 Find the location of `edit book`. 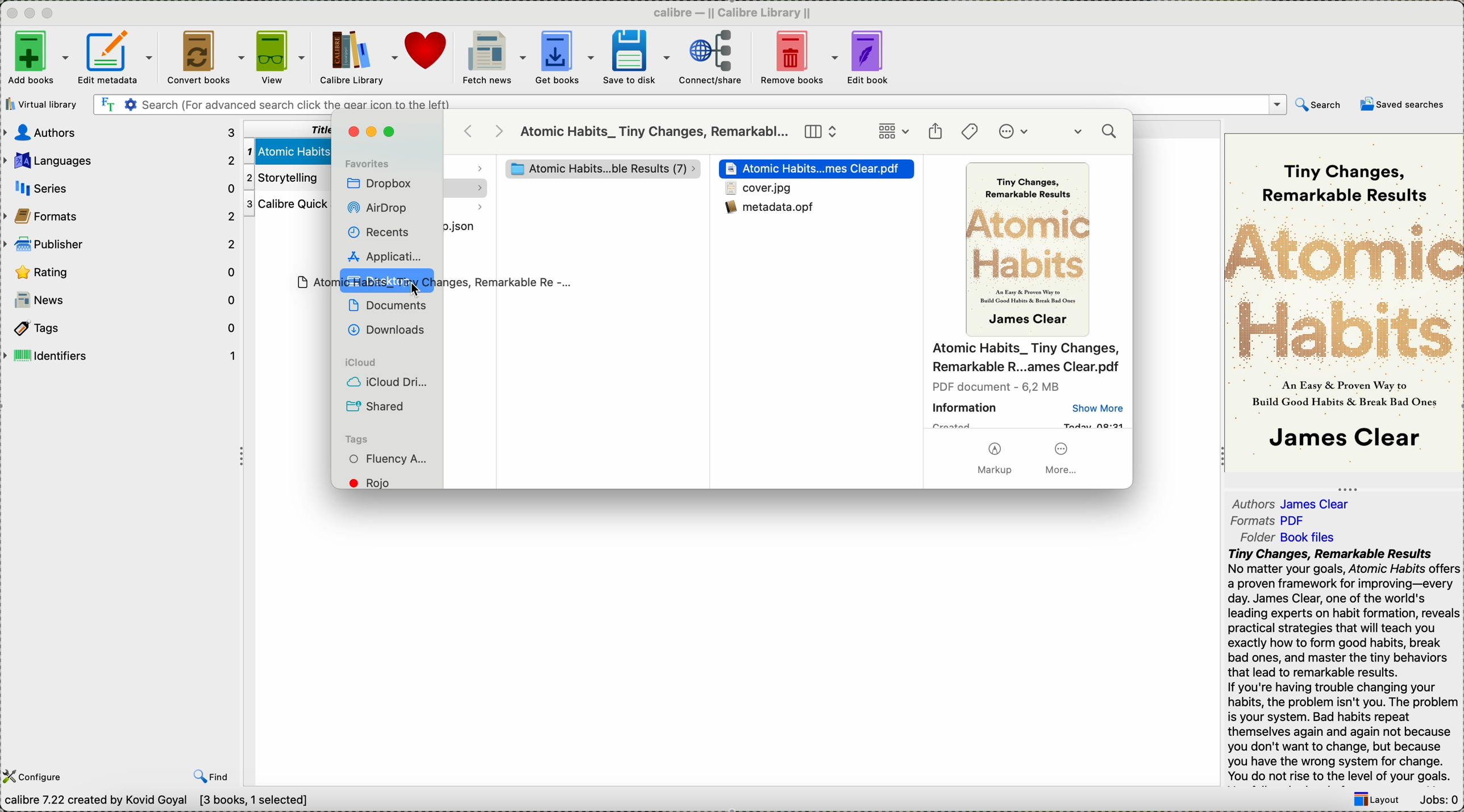

edit book is located at coordinates (870, 59).